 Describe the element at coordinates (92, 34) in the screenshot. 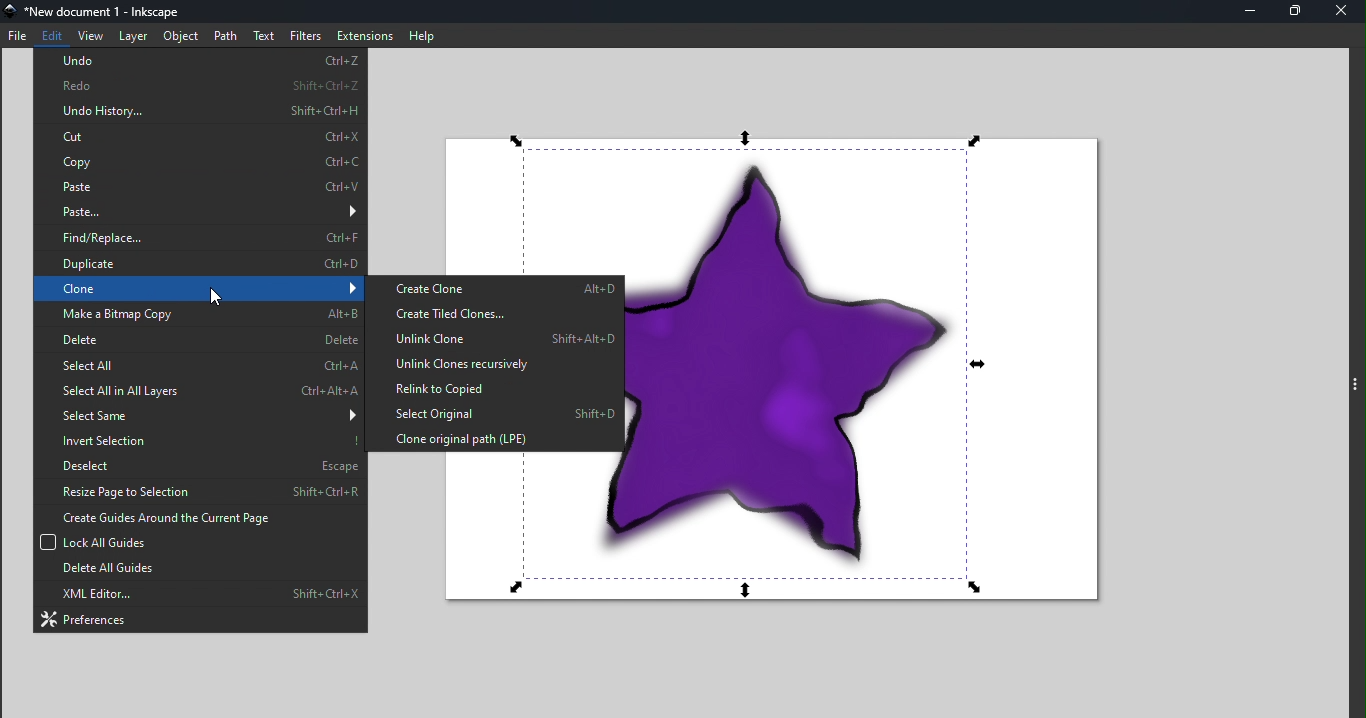

I see `View` at that location.